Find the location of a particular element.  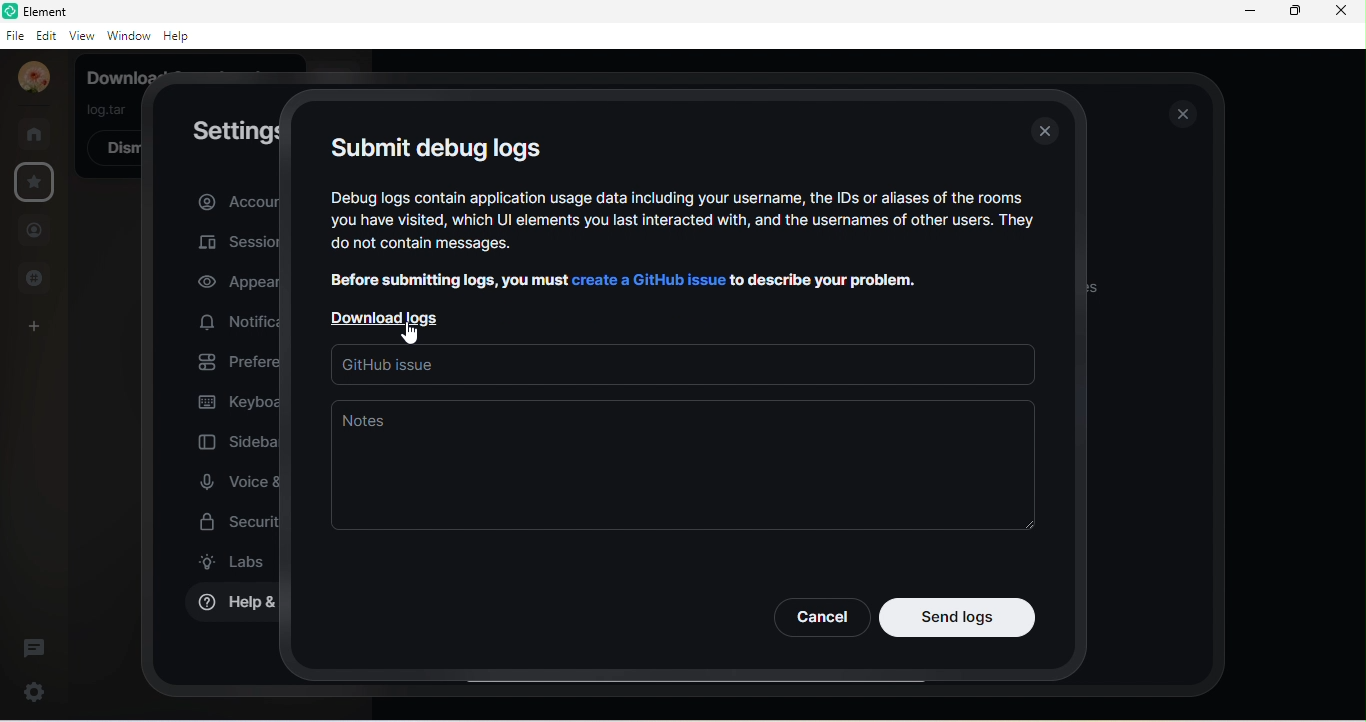

quick setting is located at coordinates (35, 688).